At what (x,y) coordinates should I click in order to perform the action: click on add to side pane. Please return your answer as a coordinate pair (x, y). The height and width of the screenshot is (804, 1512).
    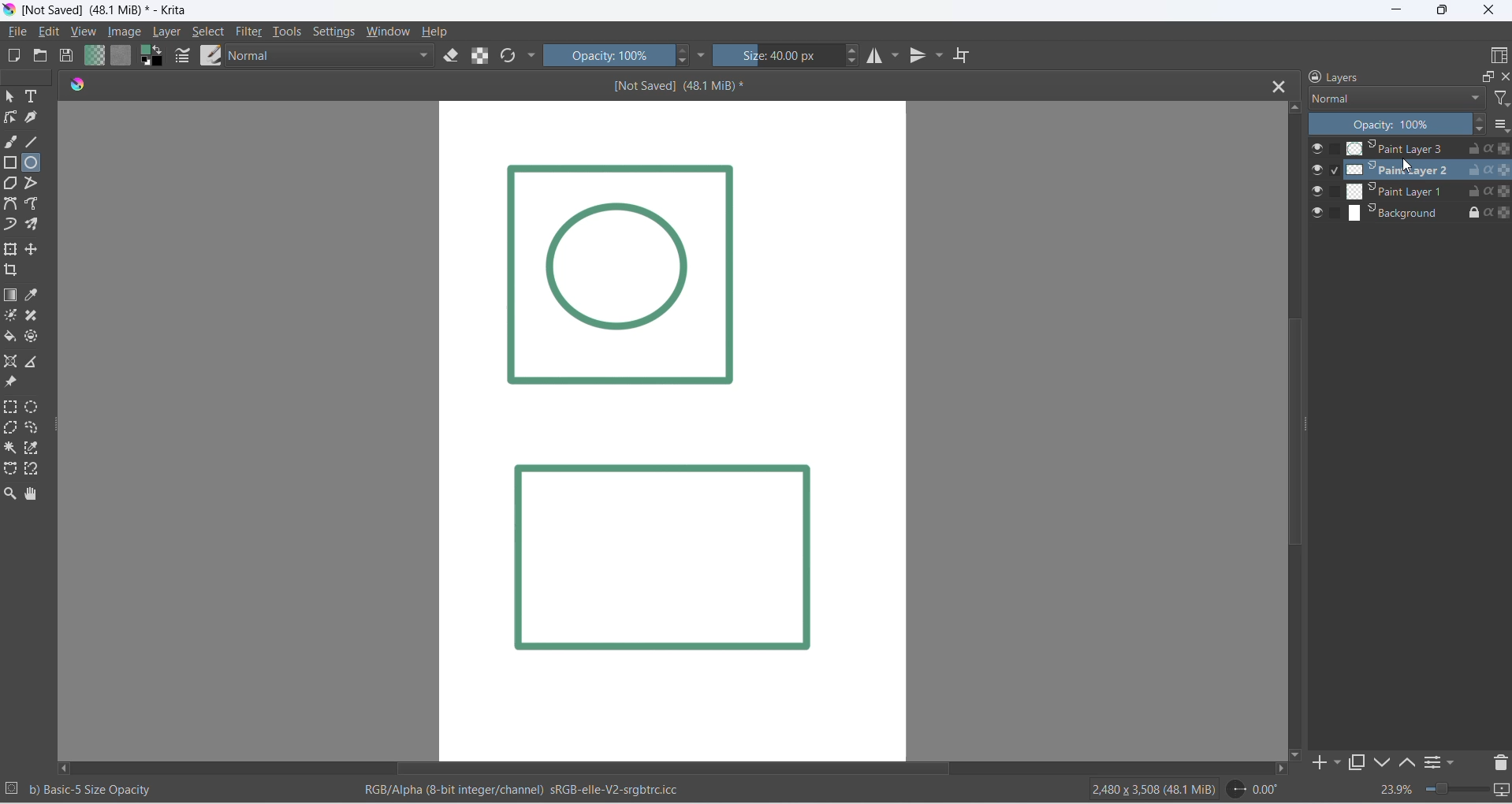
    Looking at the image, I should click on (1328, 762).